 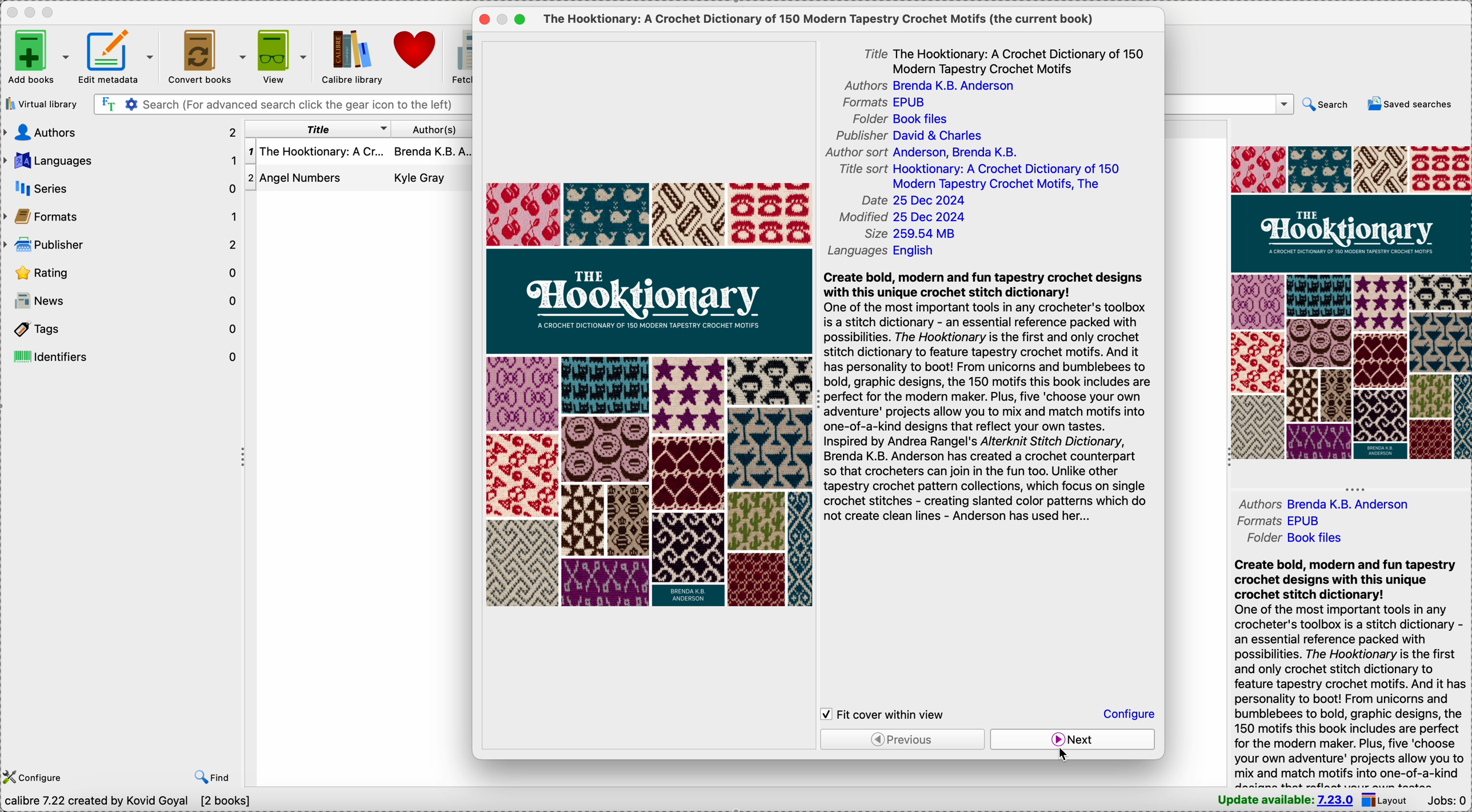 What do you see at coordinates (1128, 713) in the screenshot?
I see `configure` at bounding box center [1128, 713].